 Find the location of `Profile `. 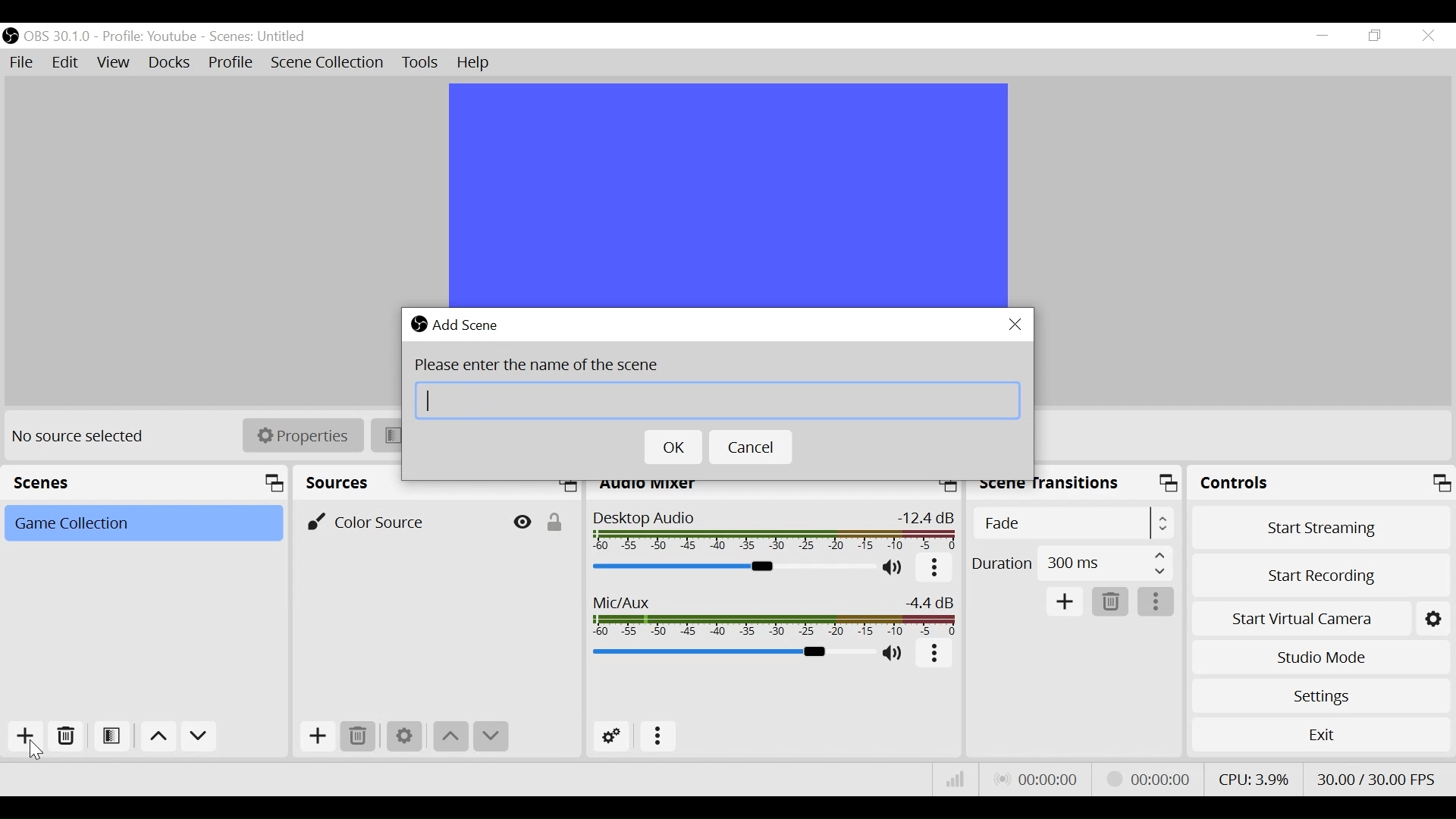

Profile  is located at coordinates (152, 36).